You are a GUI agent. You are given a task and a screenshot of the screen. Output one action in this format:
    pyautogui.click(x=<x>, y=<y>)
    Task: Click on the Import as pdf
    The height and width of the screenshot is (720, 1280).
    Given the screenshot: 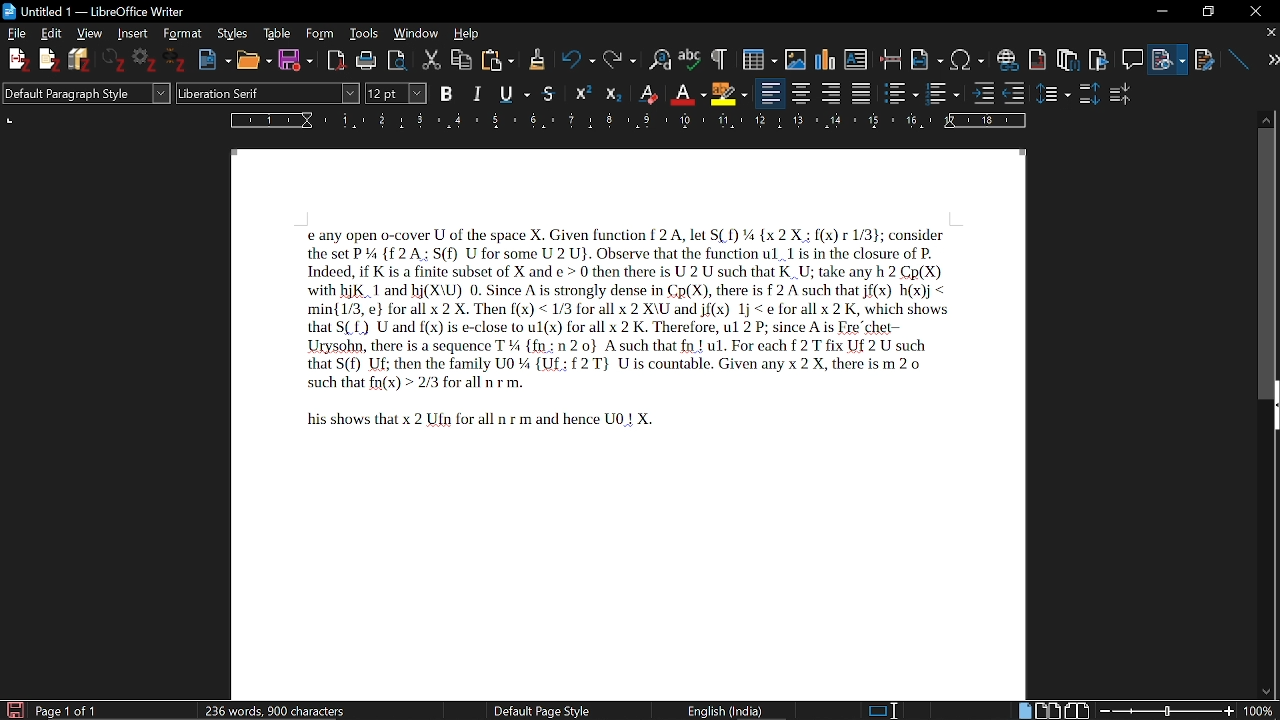 What is the action you would take?
    pyautogui.click(x=335, y=57)
    